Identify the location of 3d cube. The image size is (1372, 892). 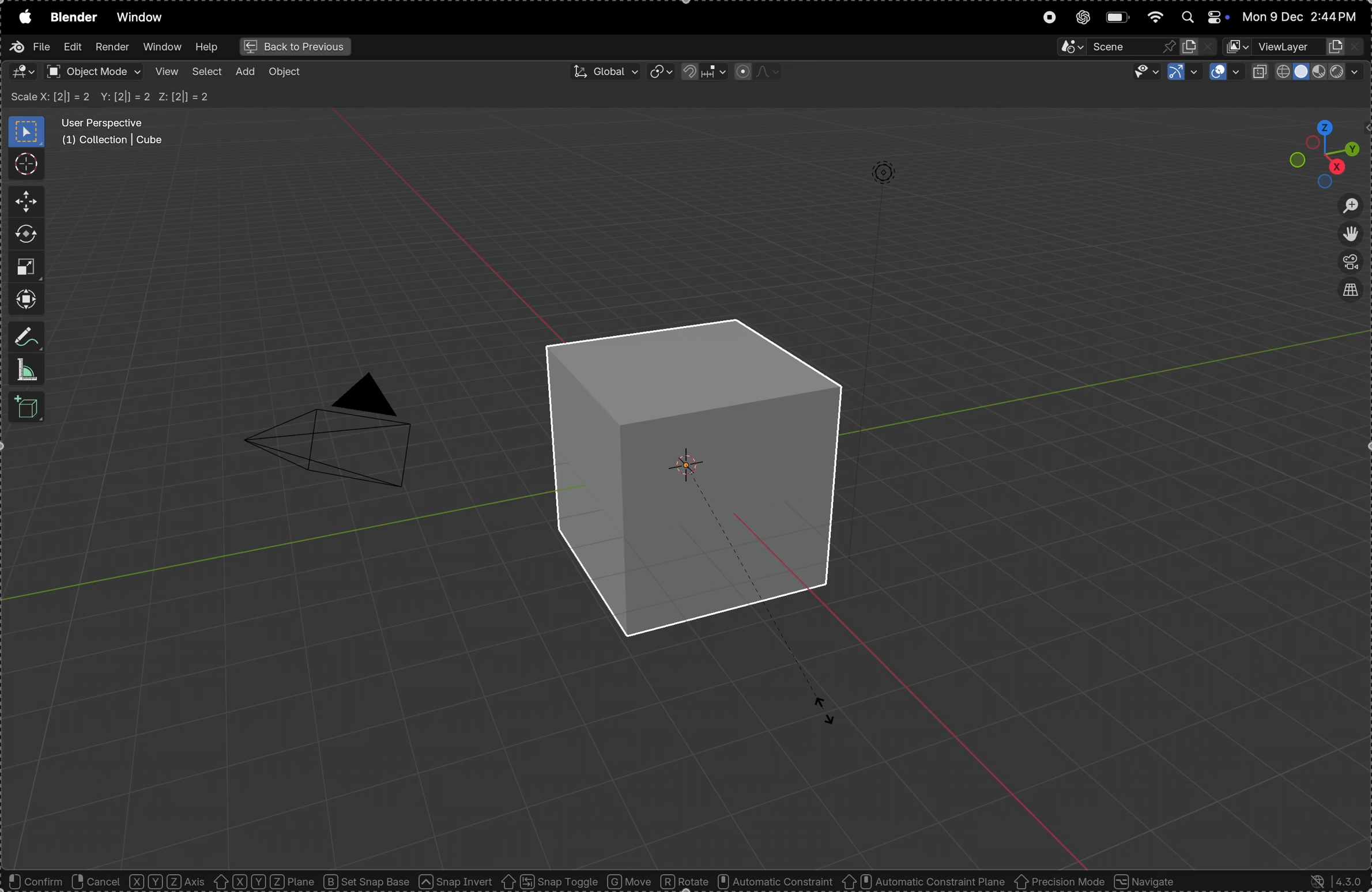
(24, 408).